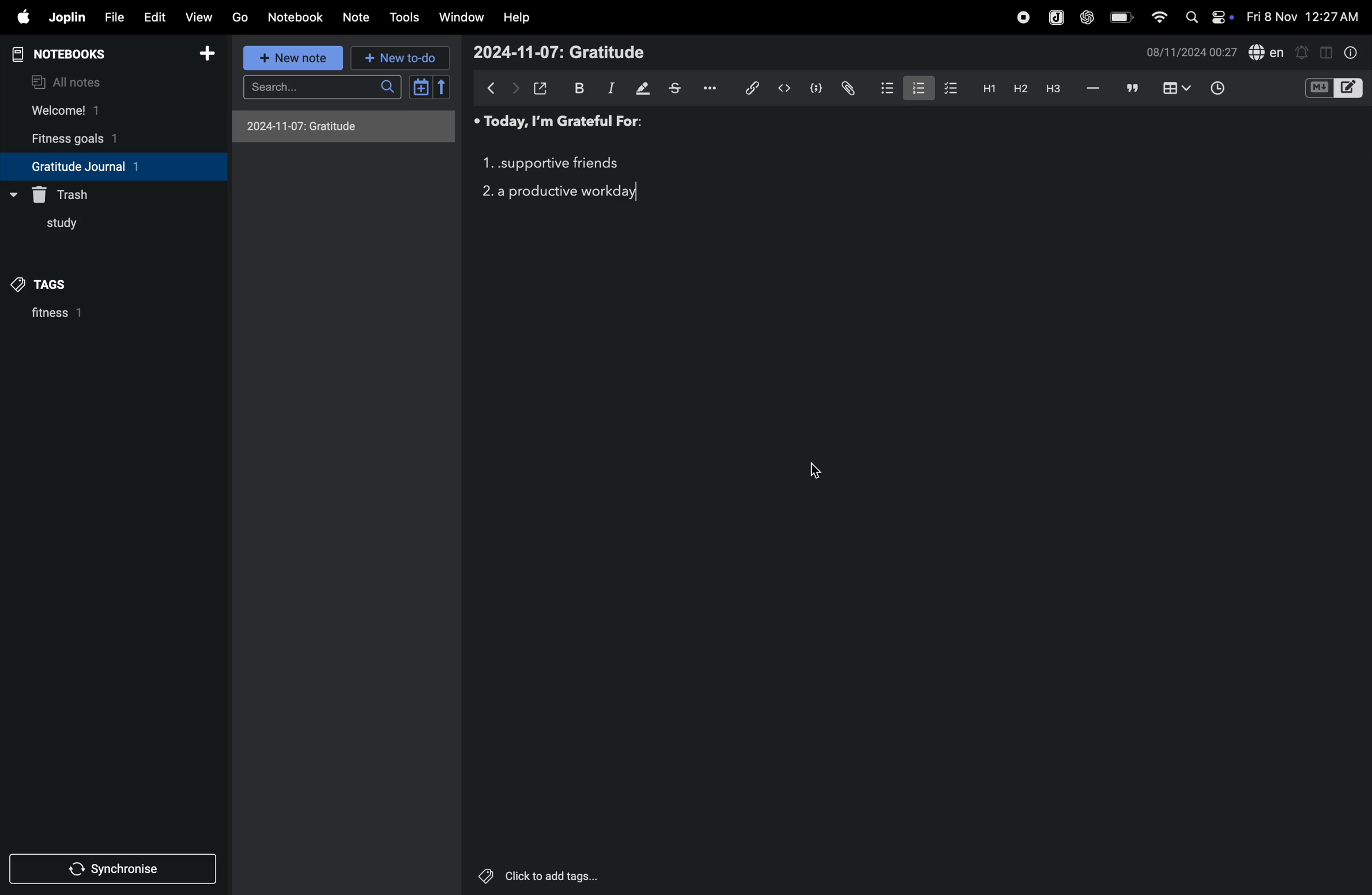 The width and height of the screenshot is (1372, 895). Describe the element at coordinates (80, 54) in the screenshot. I see `note book` at that location.